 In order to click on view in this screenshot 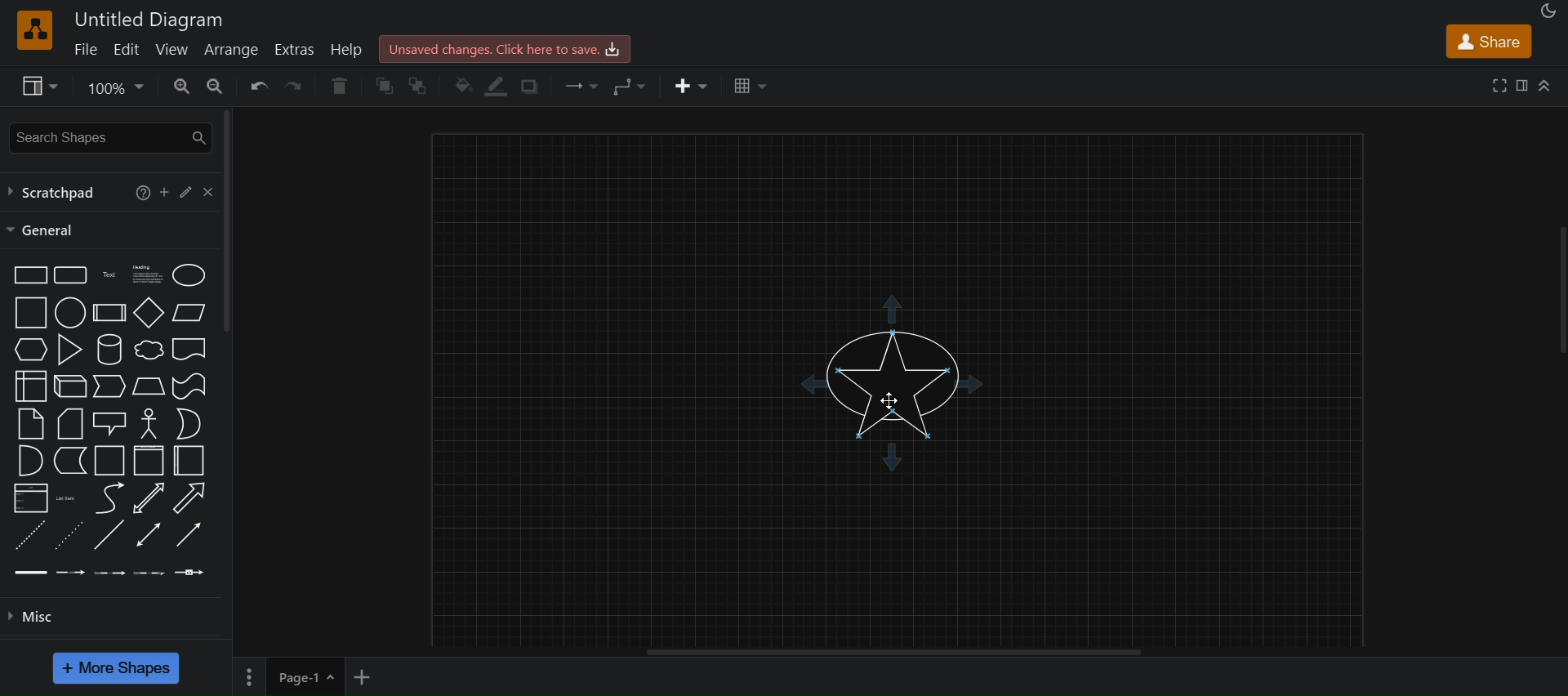, I will do `click(36, 85)`.